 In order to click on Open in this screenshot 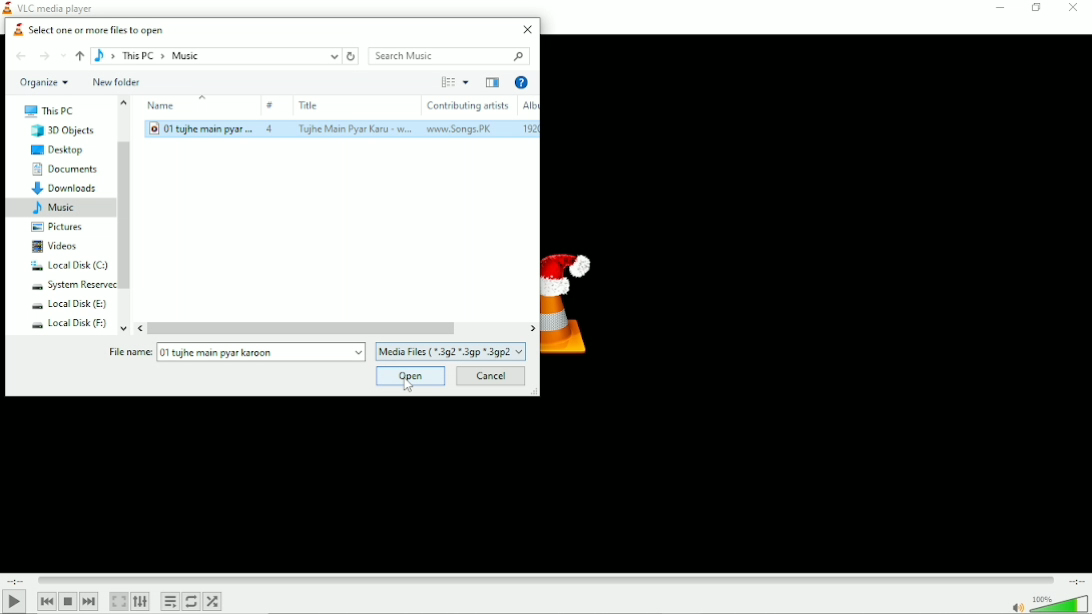, I will do `click(410, 376)`.